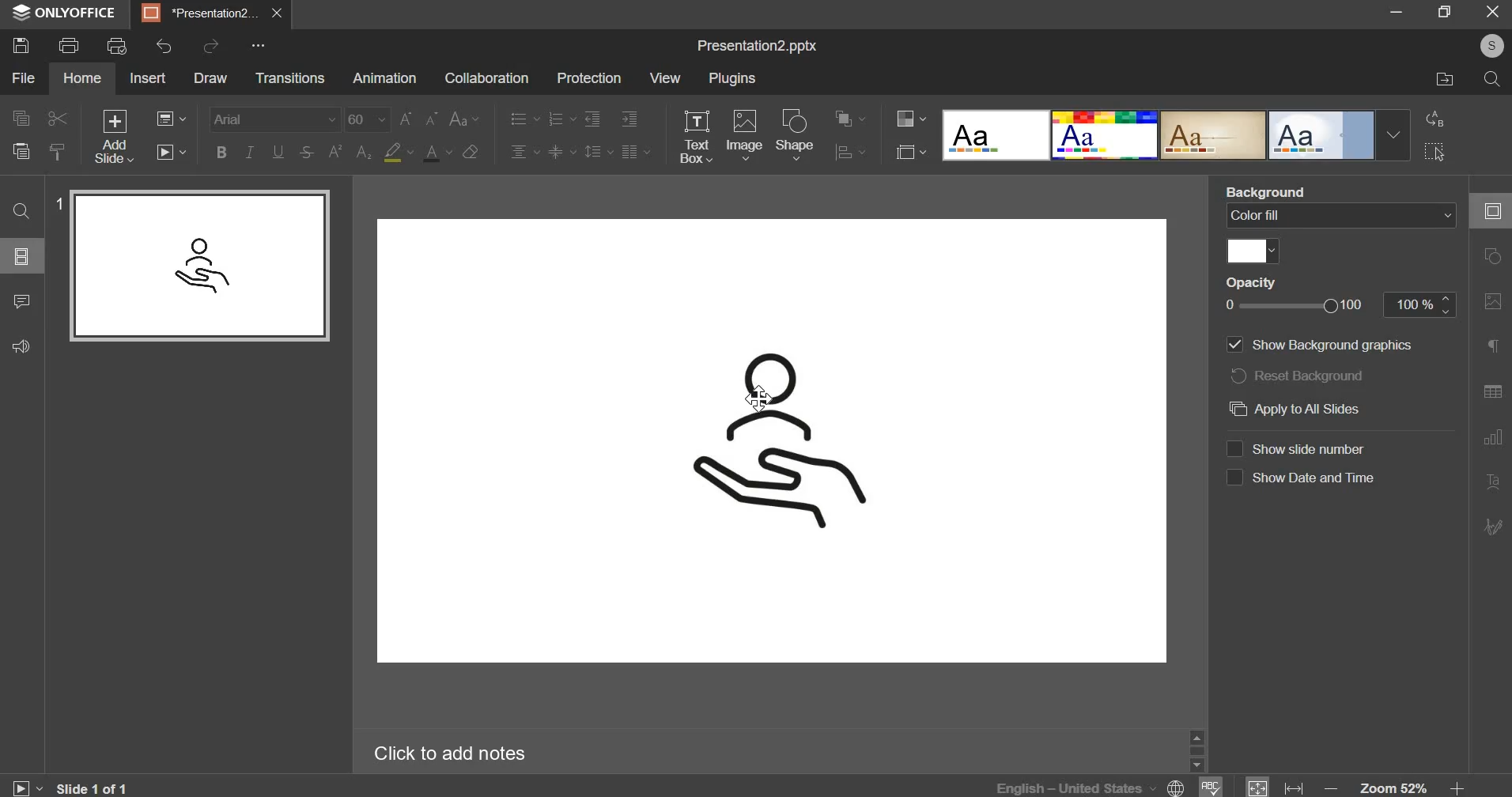 Image resolution: width=1512 pixels, height=797 pixels. What do you see at coordinates (470, 151) in the screenshot?
I see `clear style` at bounding box center [470, 151].